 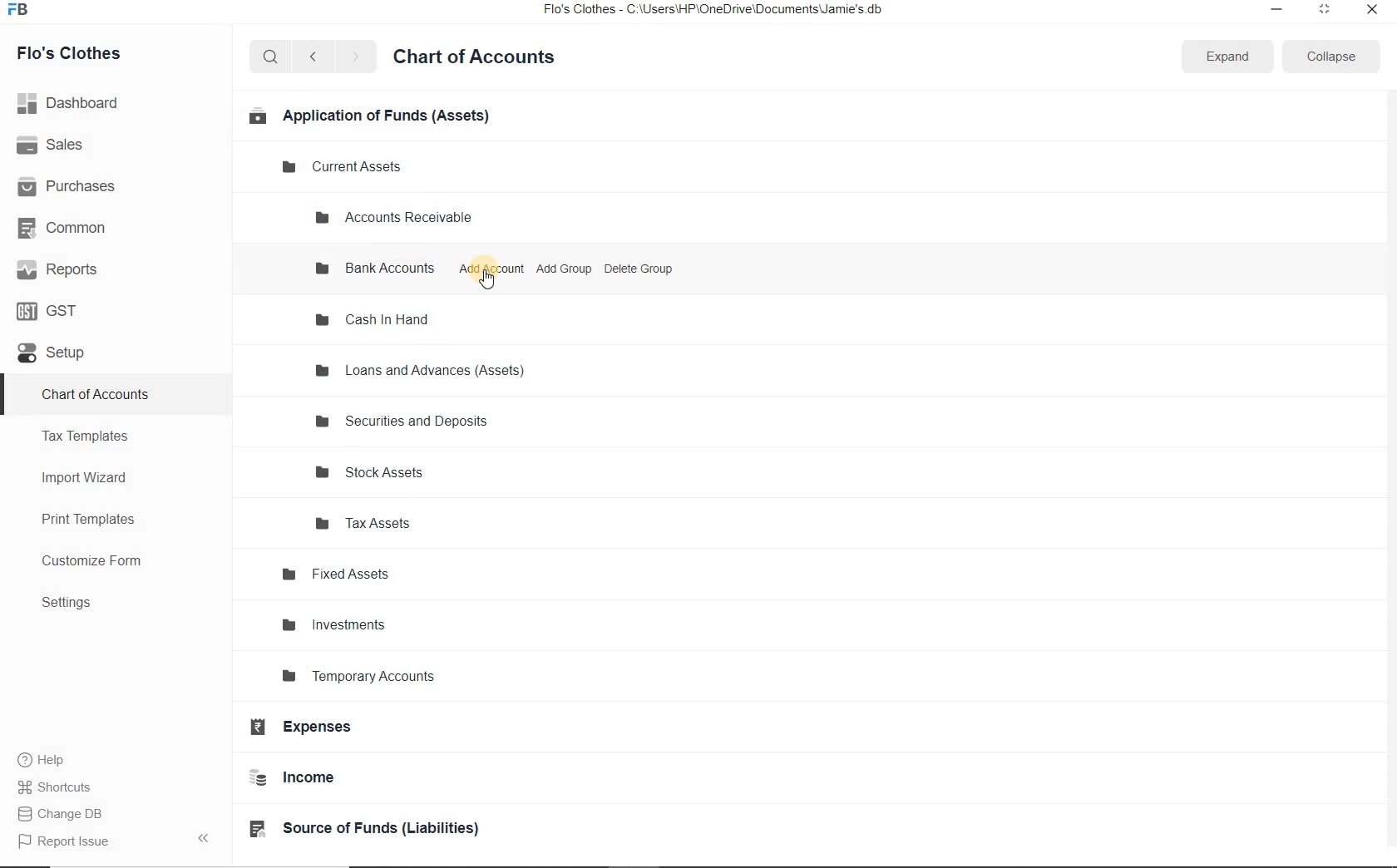 I want to click on GST, so click(x=54, y=309).